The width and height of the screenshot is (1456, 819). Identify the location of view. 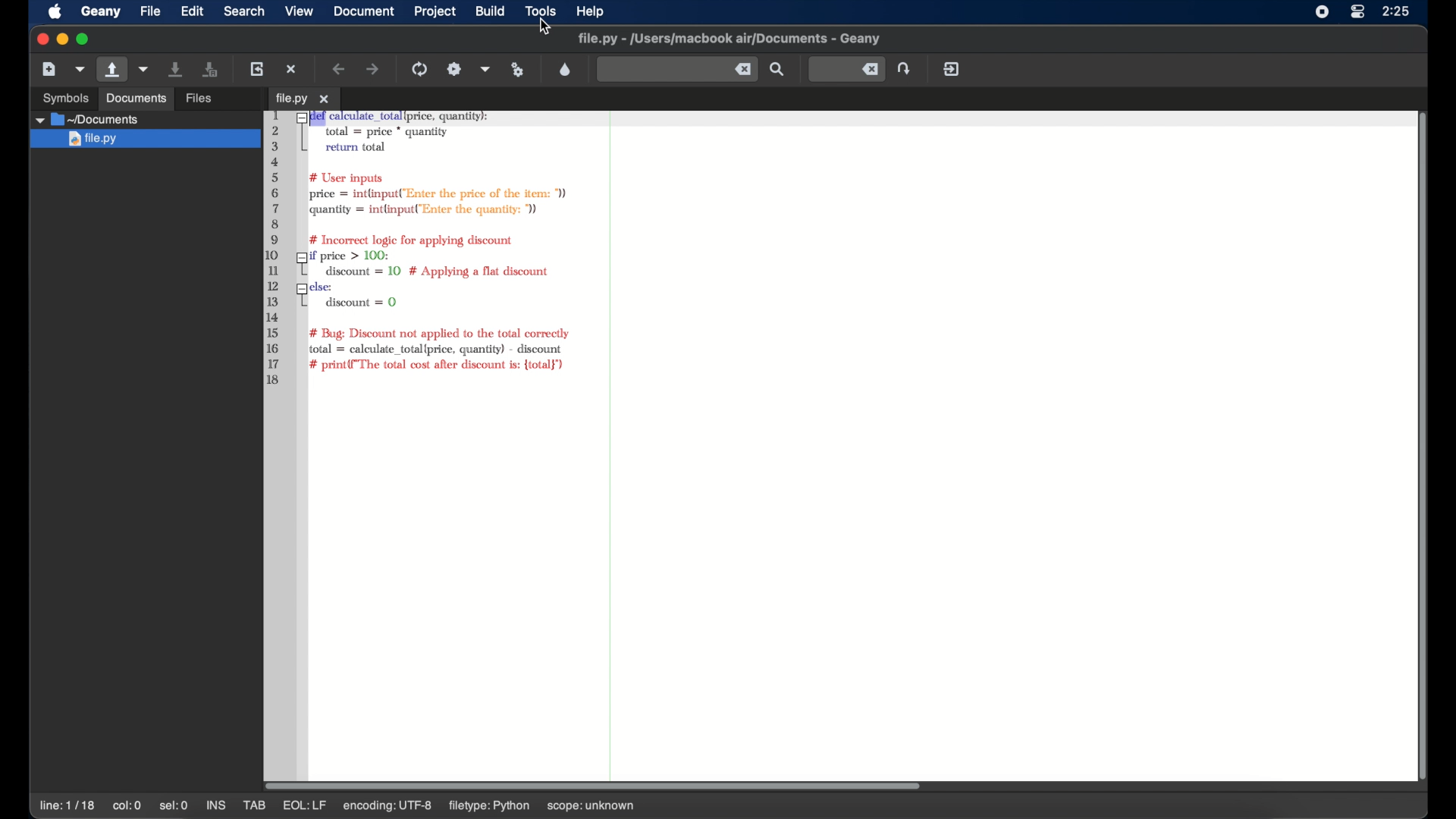
(300, 11).